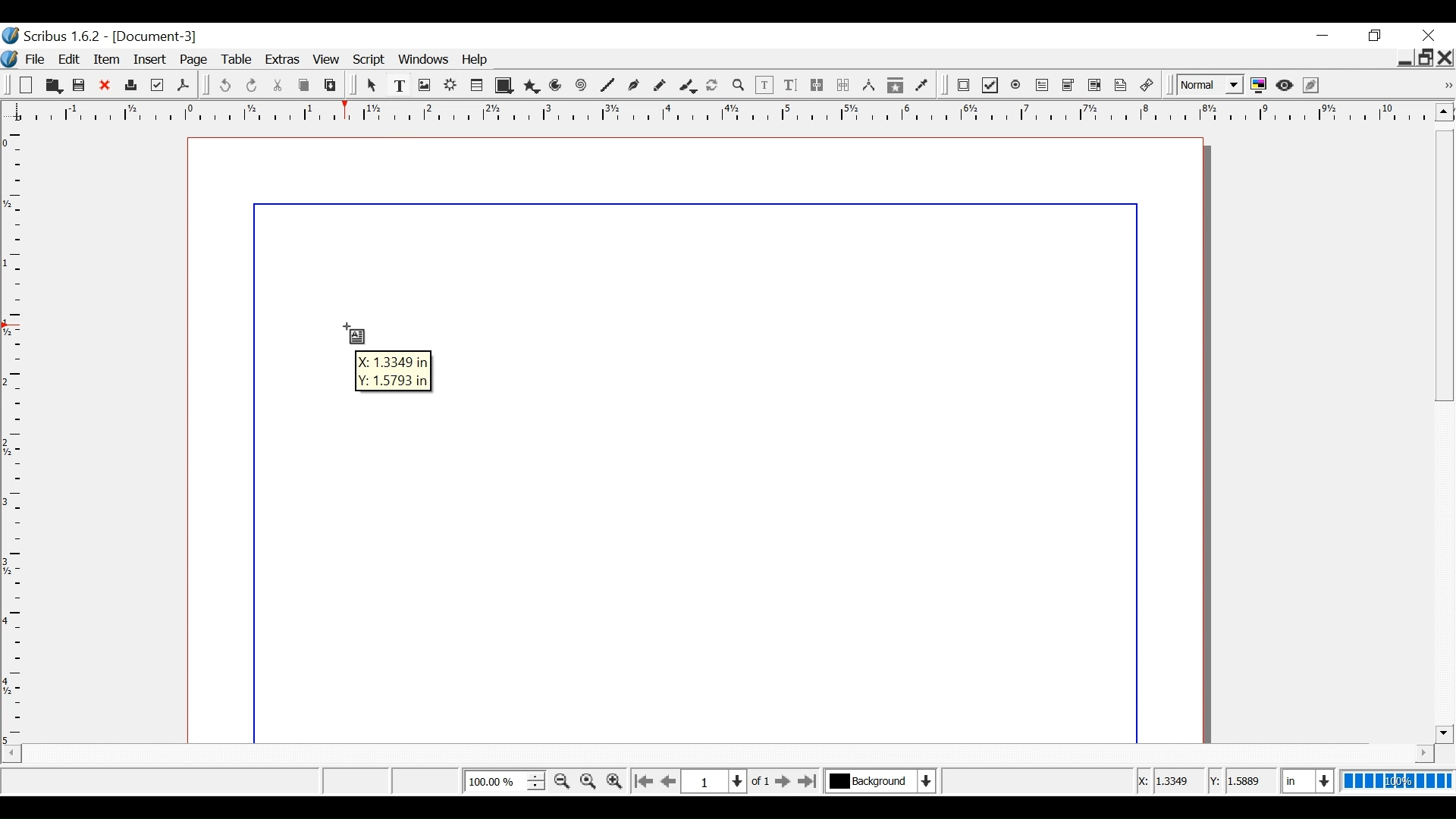  Describe the element at coordinates (194, 60) in the screenshot. I see `Page` at that location.